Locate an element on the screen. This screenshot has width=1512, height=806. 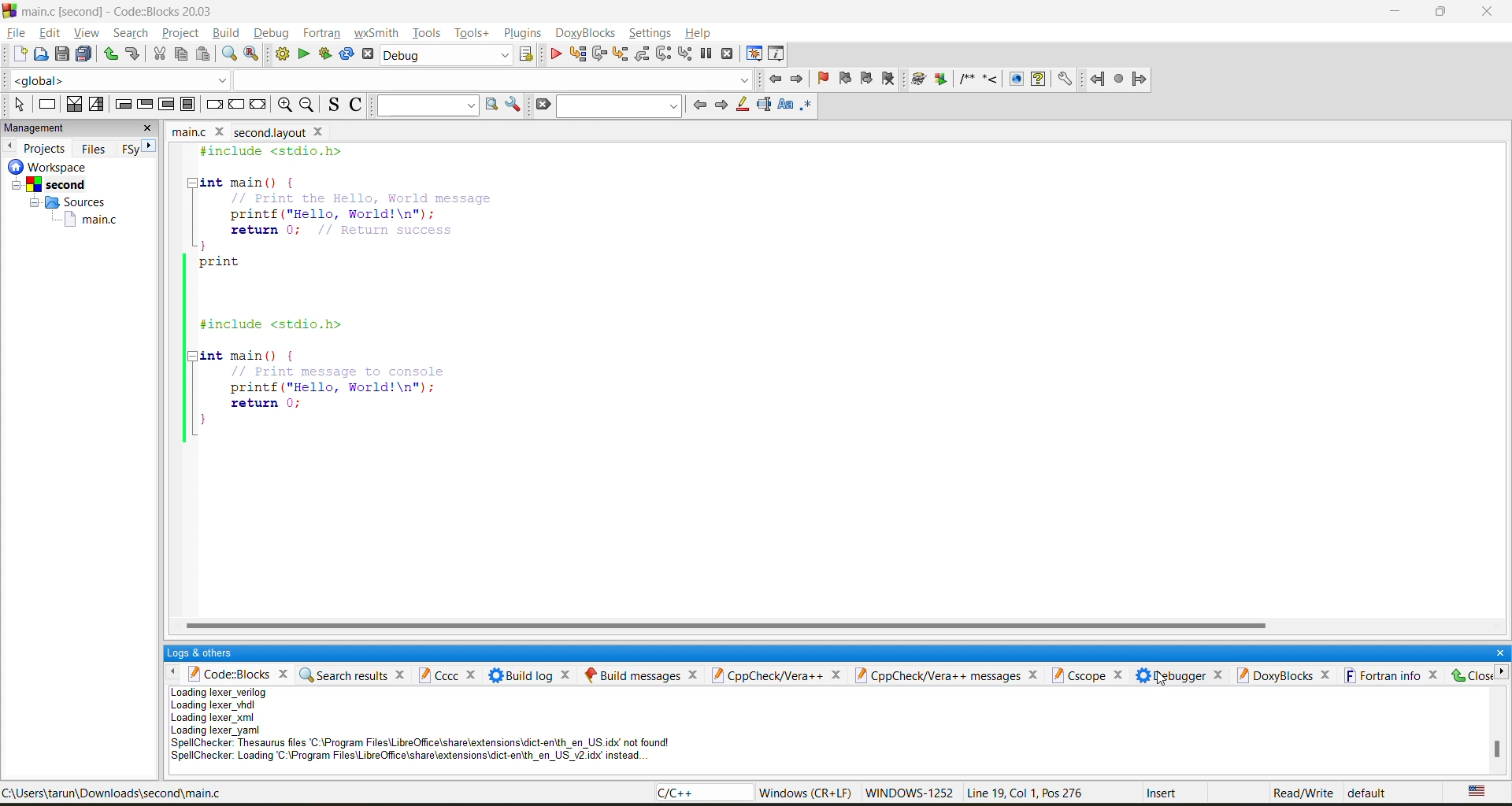
step out is located at coordinates (643, 58).